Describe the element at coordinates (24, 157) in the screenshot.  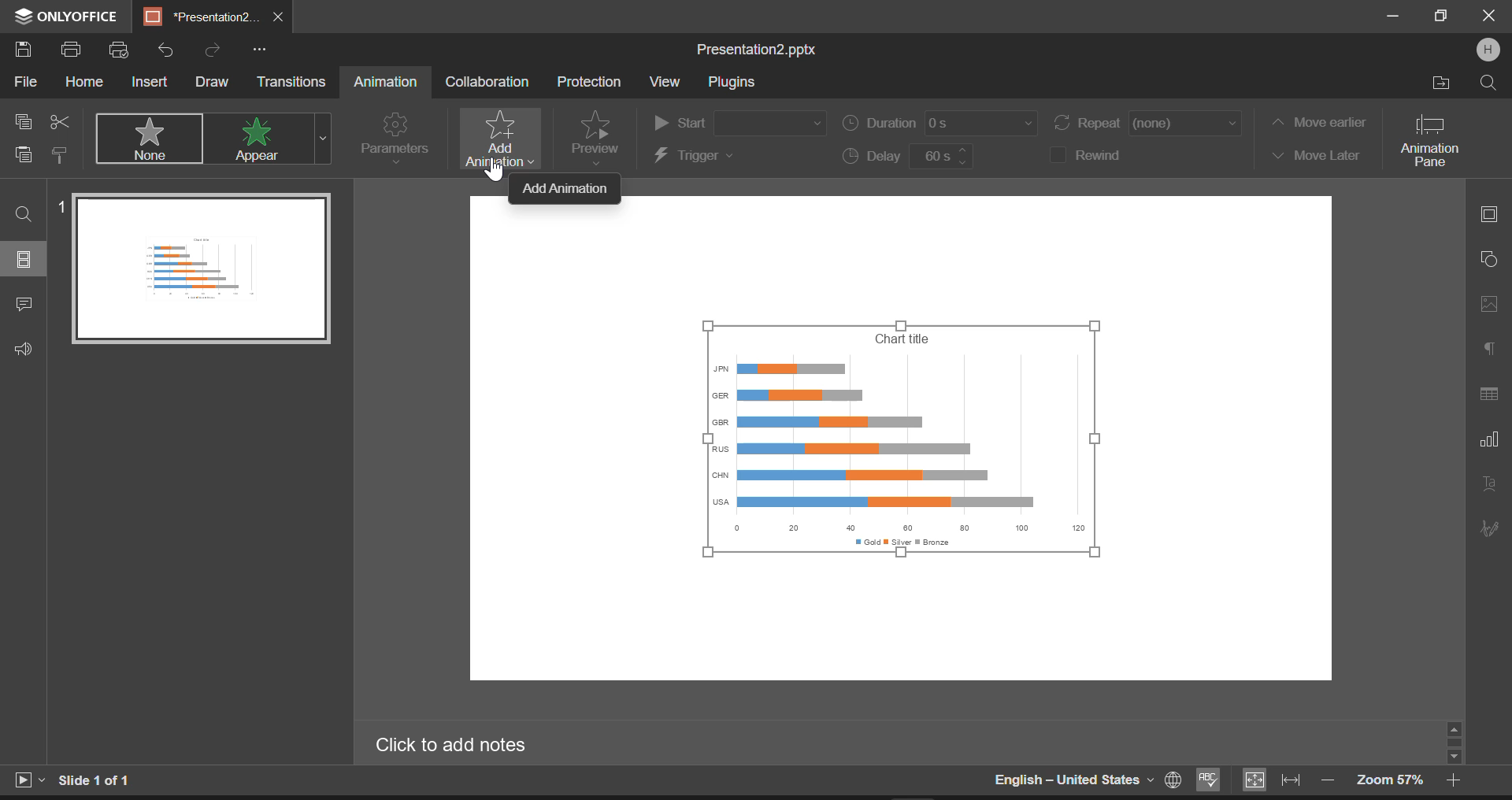
I see `Paste` at that location.